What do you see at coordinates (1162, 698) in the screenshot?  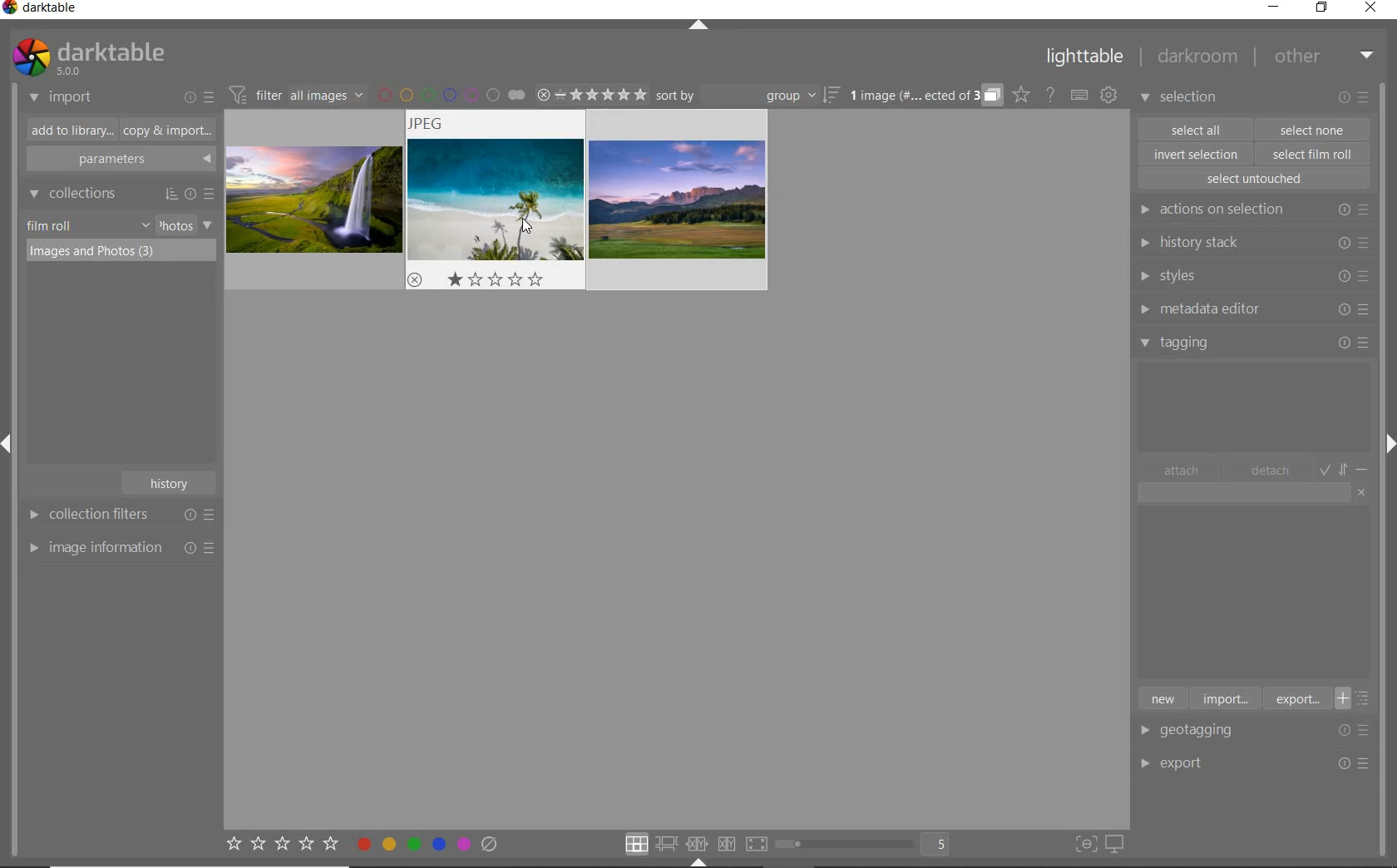 I see `new` at bounding box center [1162, 698].